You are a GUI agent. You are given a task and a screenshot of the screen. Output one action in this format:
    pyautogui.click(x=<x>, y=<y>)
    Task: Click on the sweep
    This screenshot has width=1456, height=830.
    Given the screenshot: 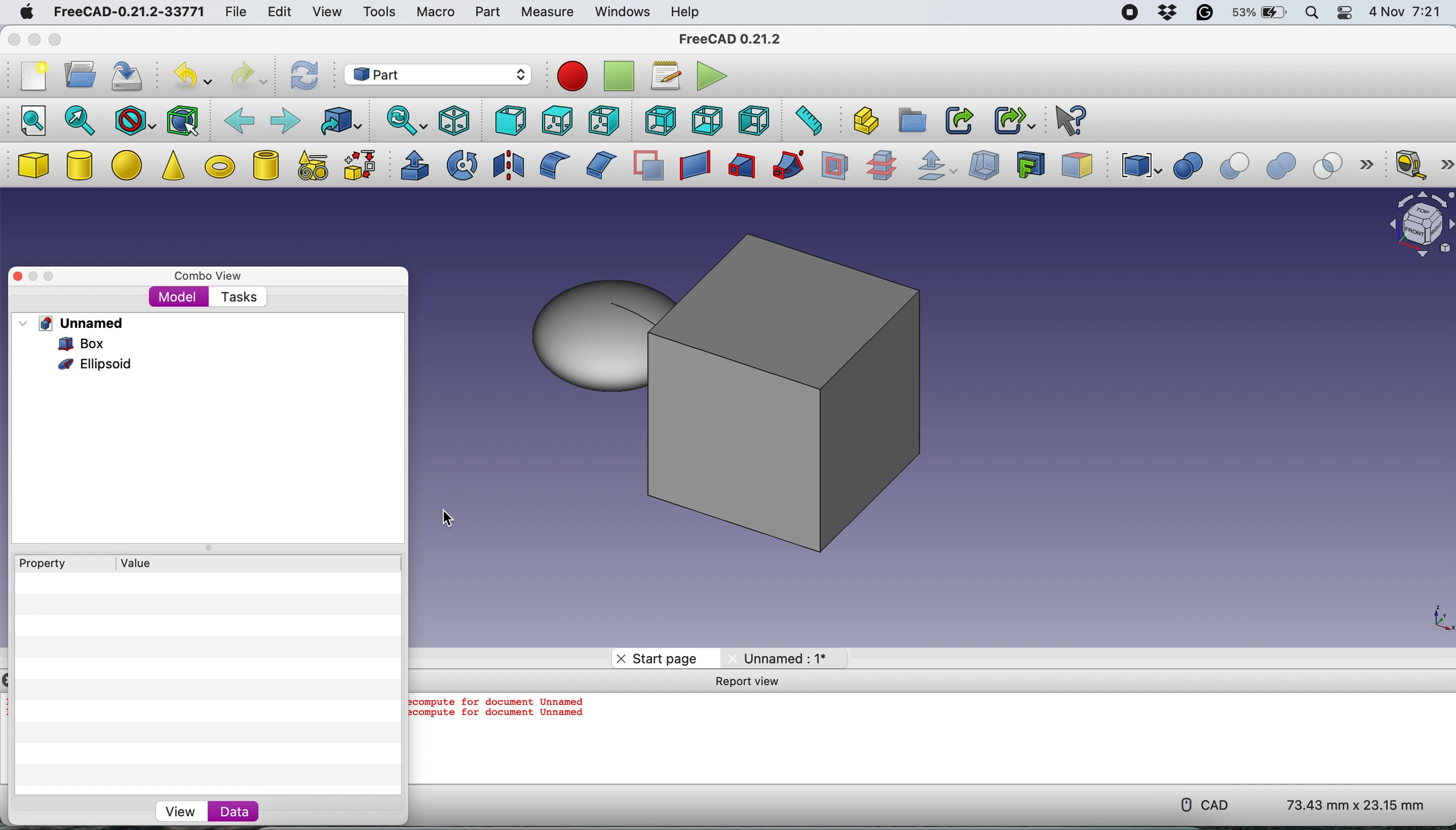 What is the action you would take?
    pyautogui.click(x=784, y=166)
    